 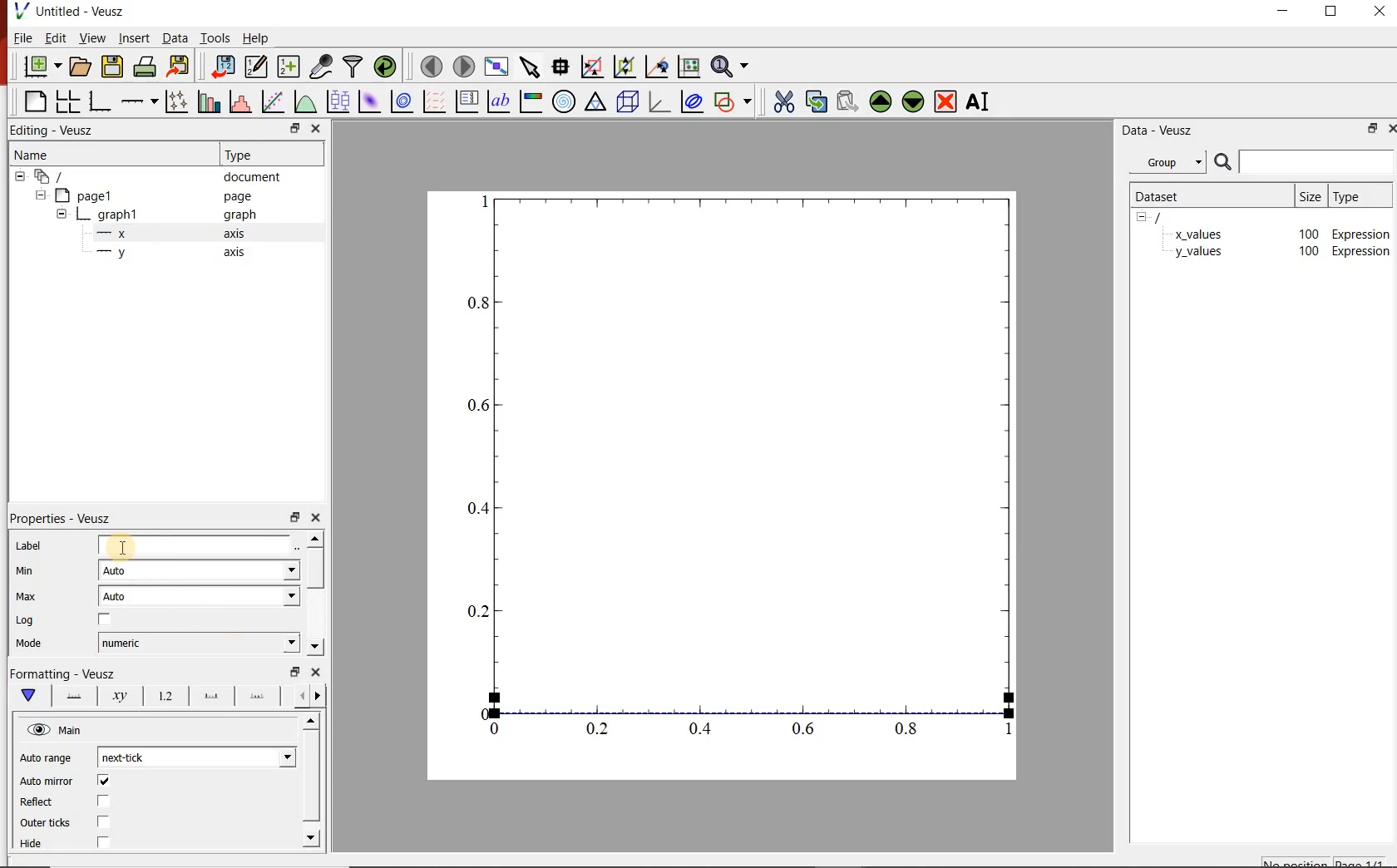 What do you see at coordinates (311, 840) in the screenshot?
I see `move down` at bounding box center [311, 840].